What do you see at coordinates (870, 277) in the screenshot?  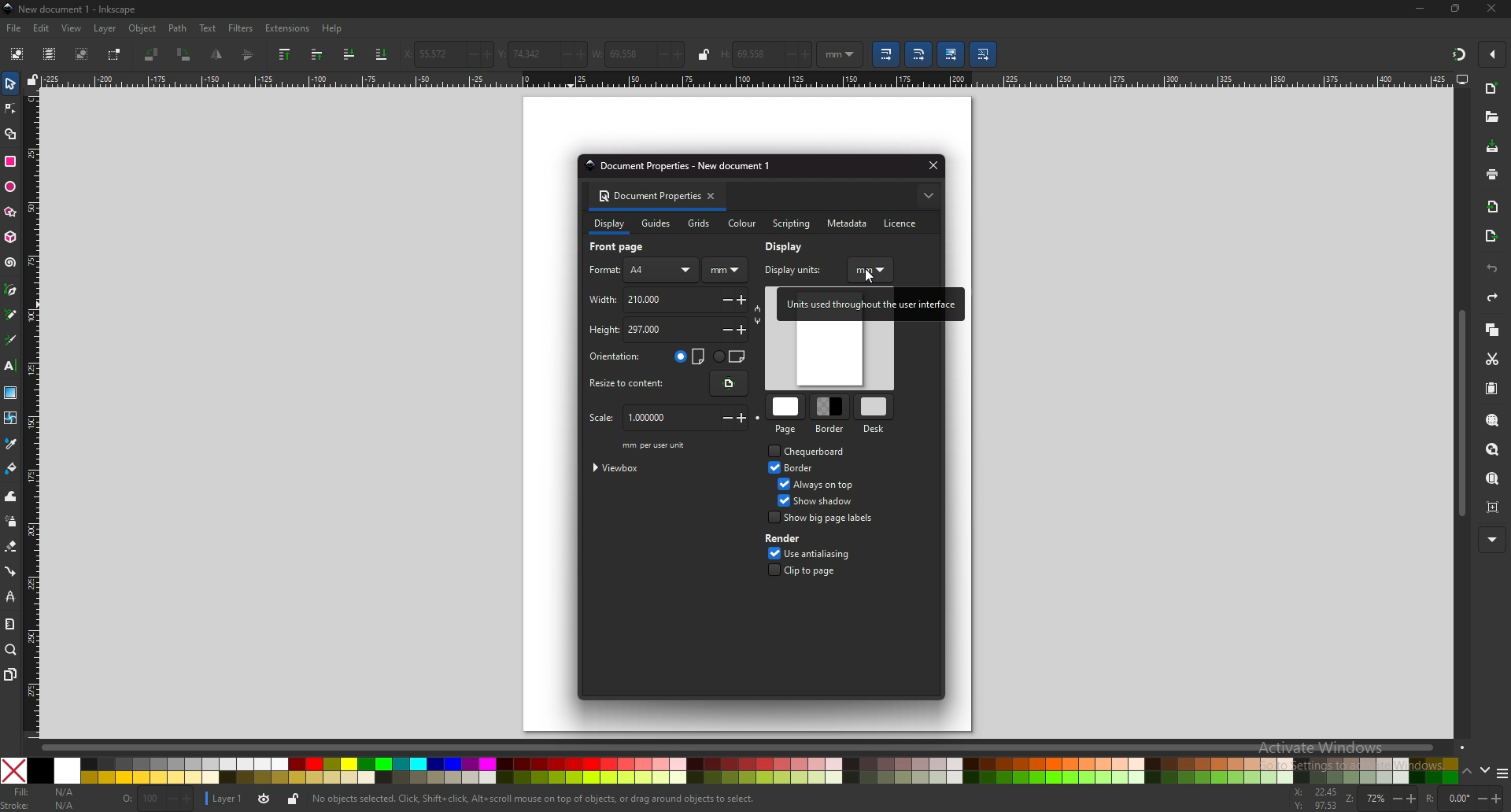 I see `Cursor` at bounding box center [870, 277].